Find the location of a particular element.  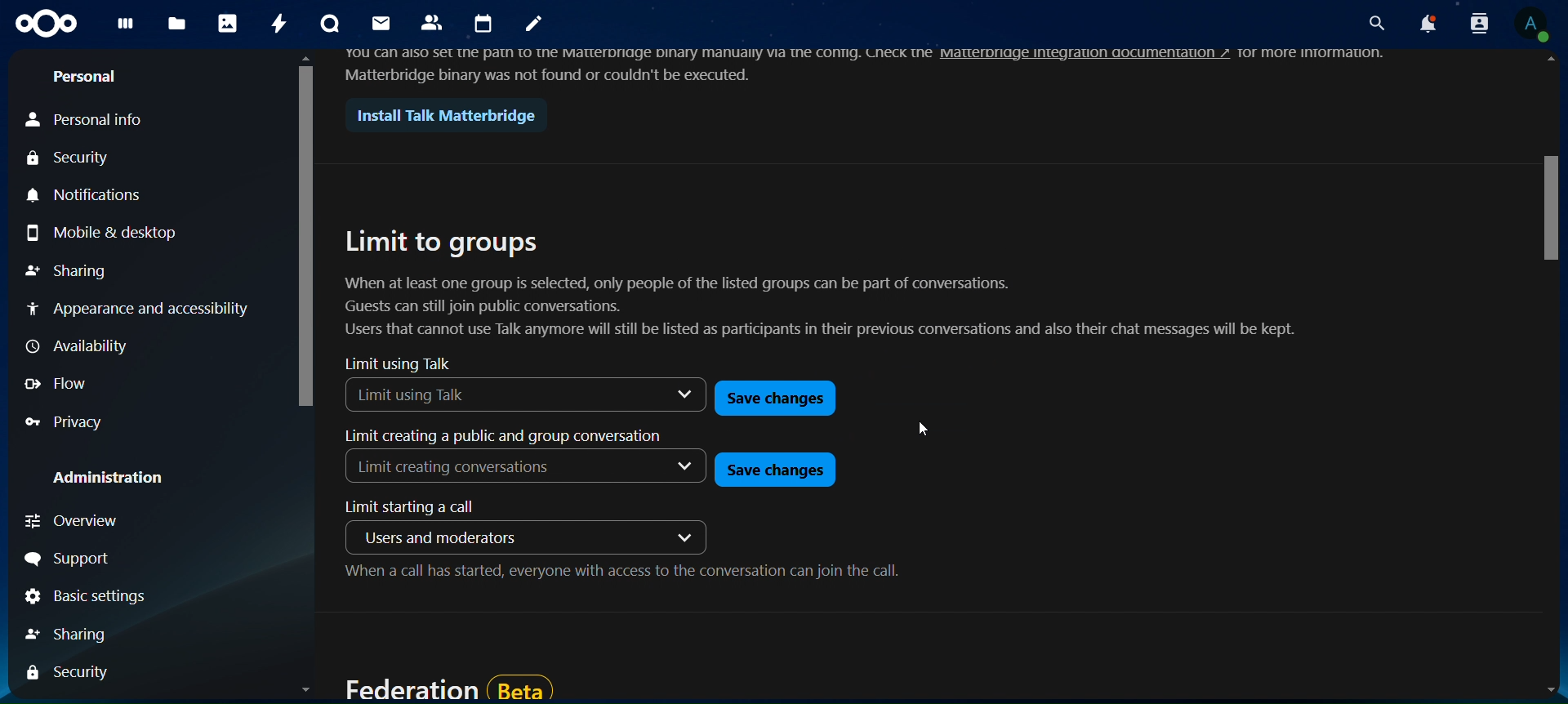

federation is located at coordinates (448, 687).